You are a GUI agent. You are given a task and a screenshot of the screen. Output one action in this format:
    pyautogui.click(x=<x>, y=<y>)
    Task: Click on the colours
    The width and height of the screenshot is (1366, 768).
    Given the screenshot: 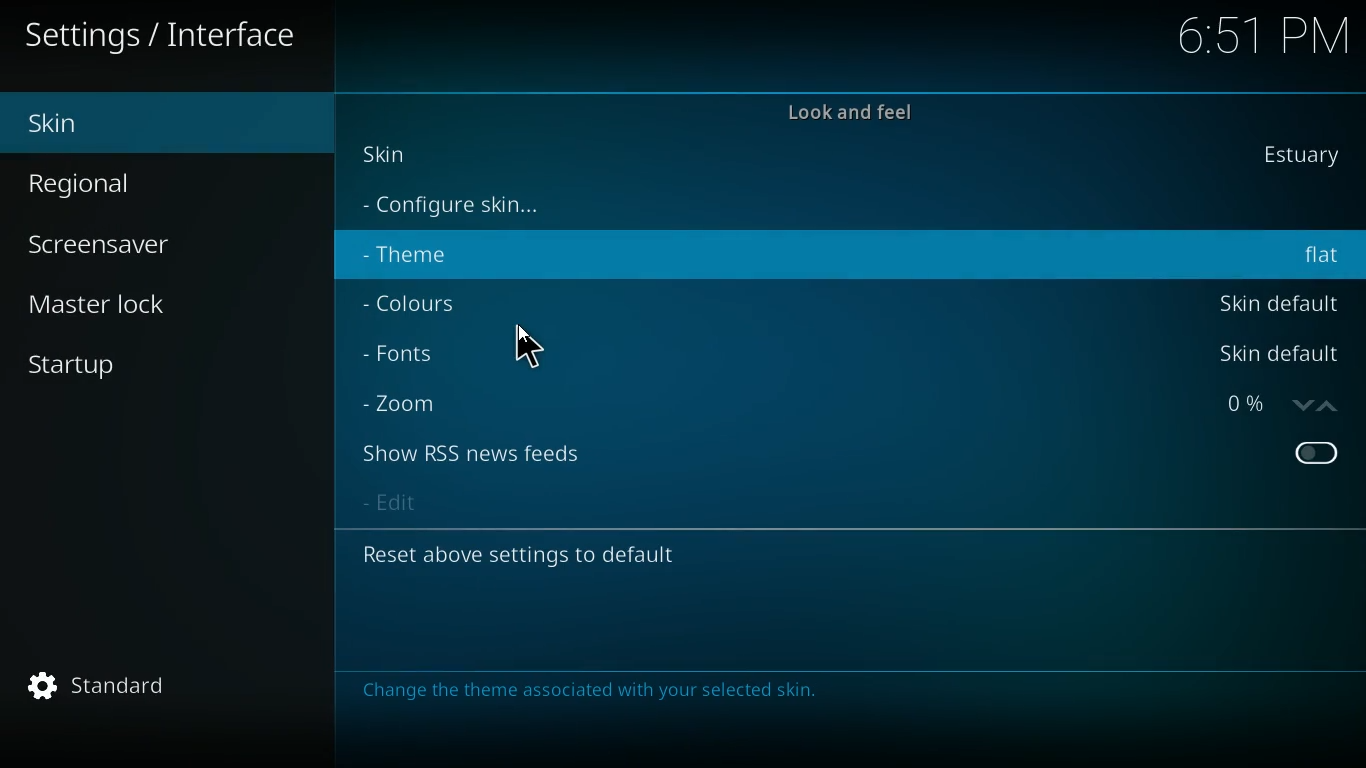 What is the action you would take?
    pyautogui.click(x=419, y=304)
    